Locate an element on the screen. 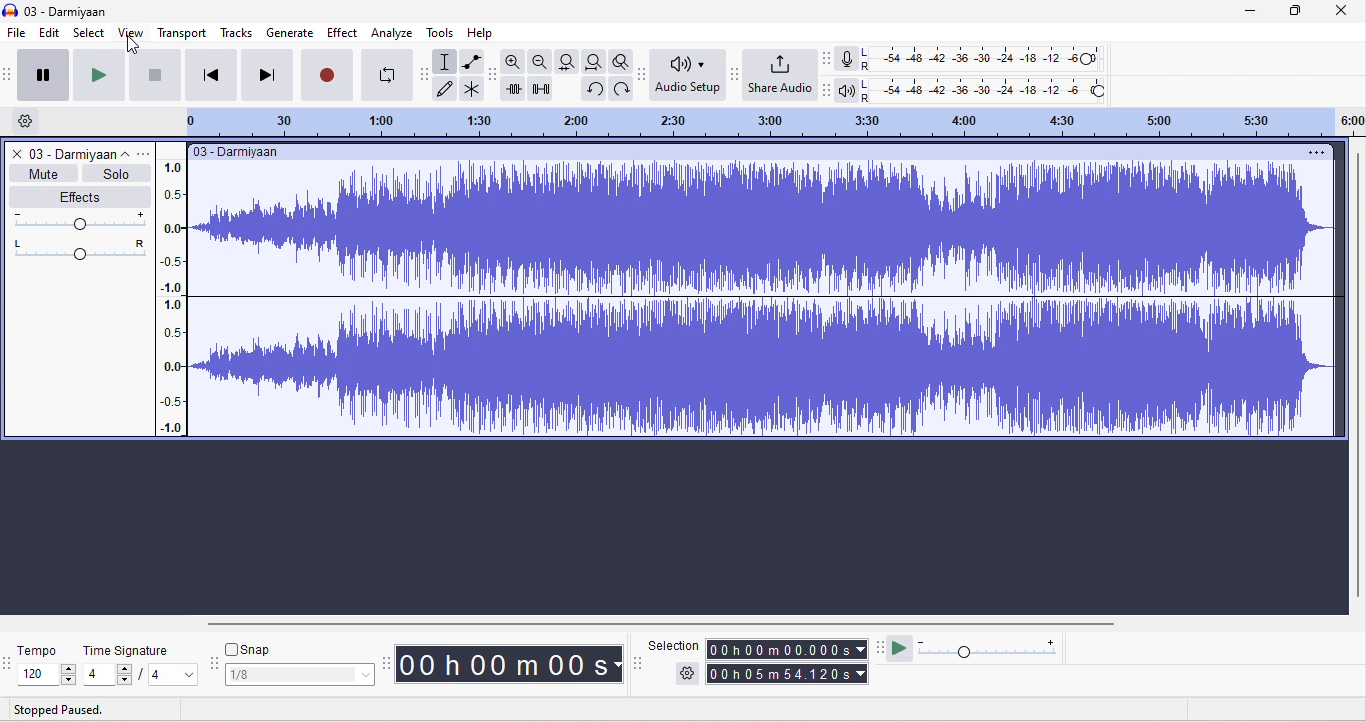 Image resolution: width=1366 pixels, height=722 pixels. maximize is located at coordinates (1292, 11).